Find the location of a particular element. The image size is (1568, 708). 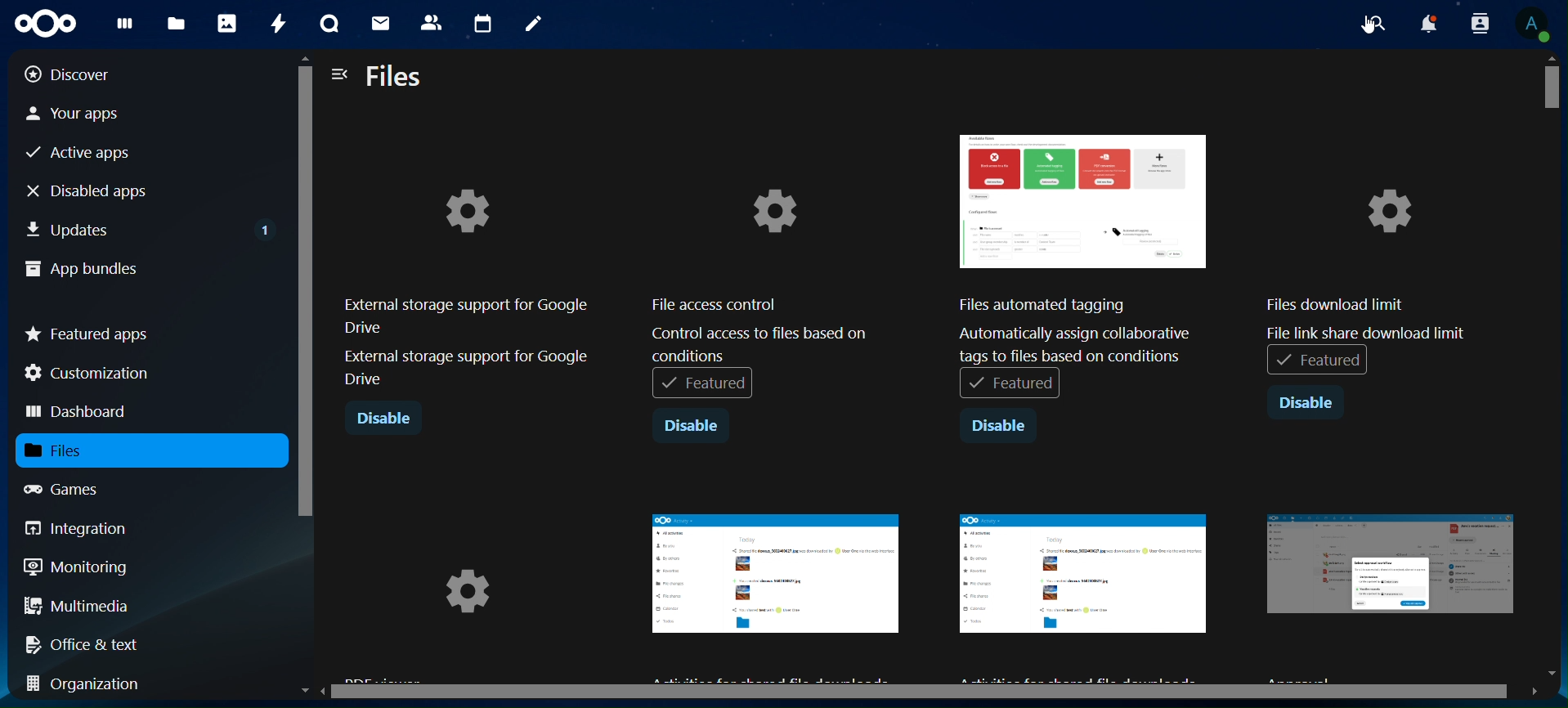

app bundles is located at coordinates (82, 271).